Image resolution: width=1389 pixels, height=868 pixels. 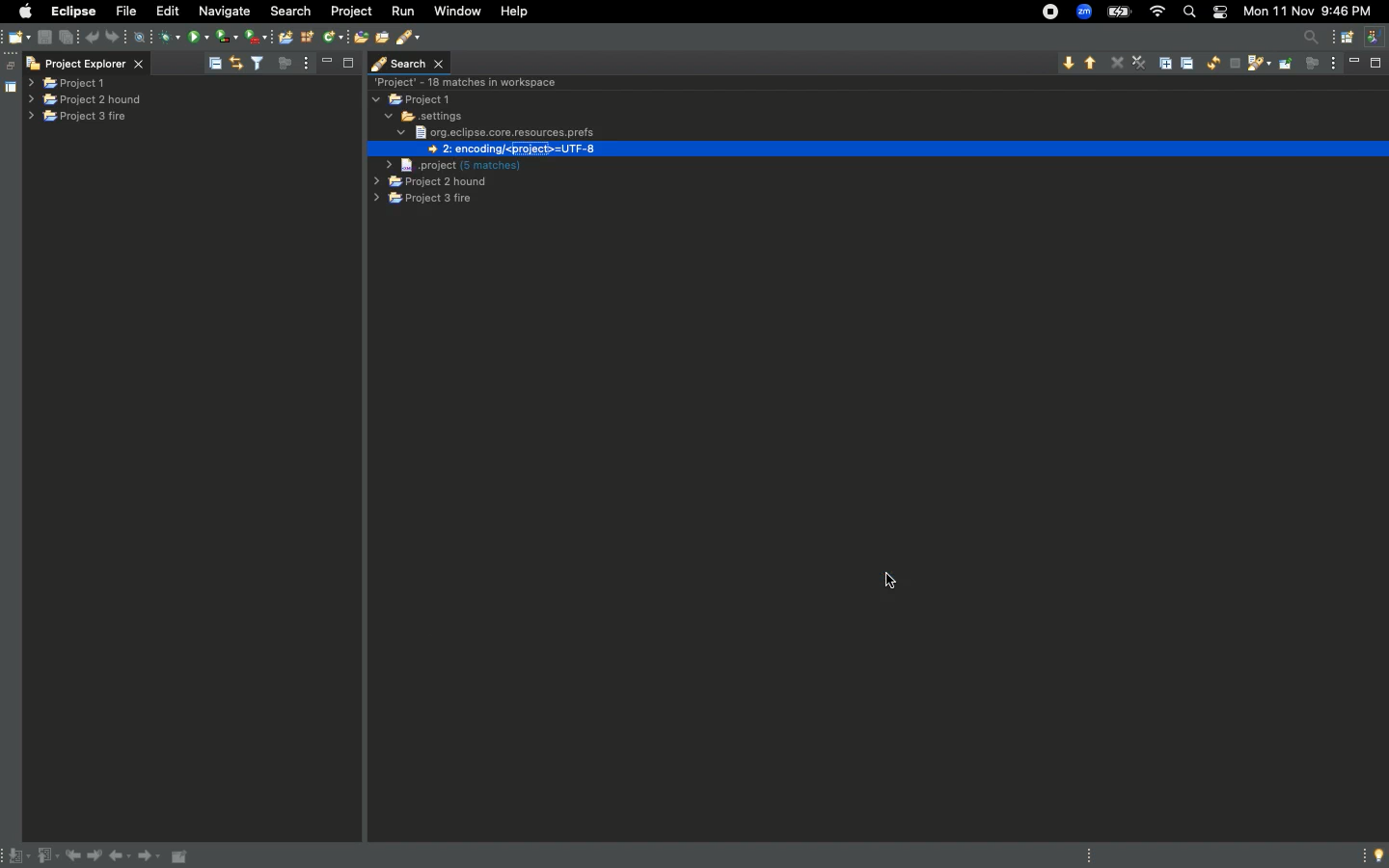 What do you see at coordinates (286, 36) in the screenshot?
I see `open console` at bounding box center [286, 36].